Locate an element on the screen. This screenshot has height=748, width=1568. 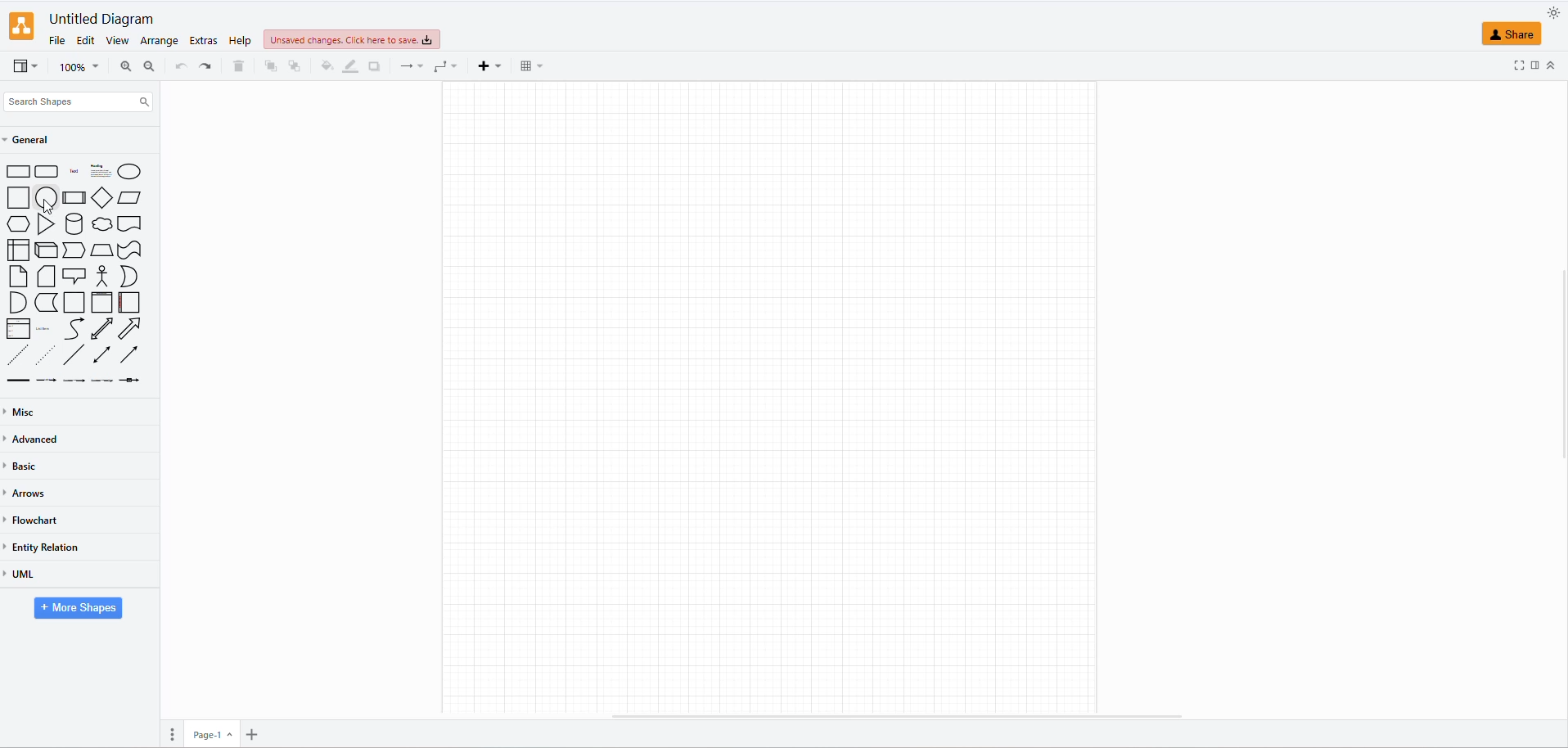
ZOOM IN is located at coordinates (122, 67).